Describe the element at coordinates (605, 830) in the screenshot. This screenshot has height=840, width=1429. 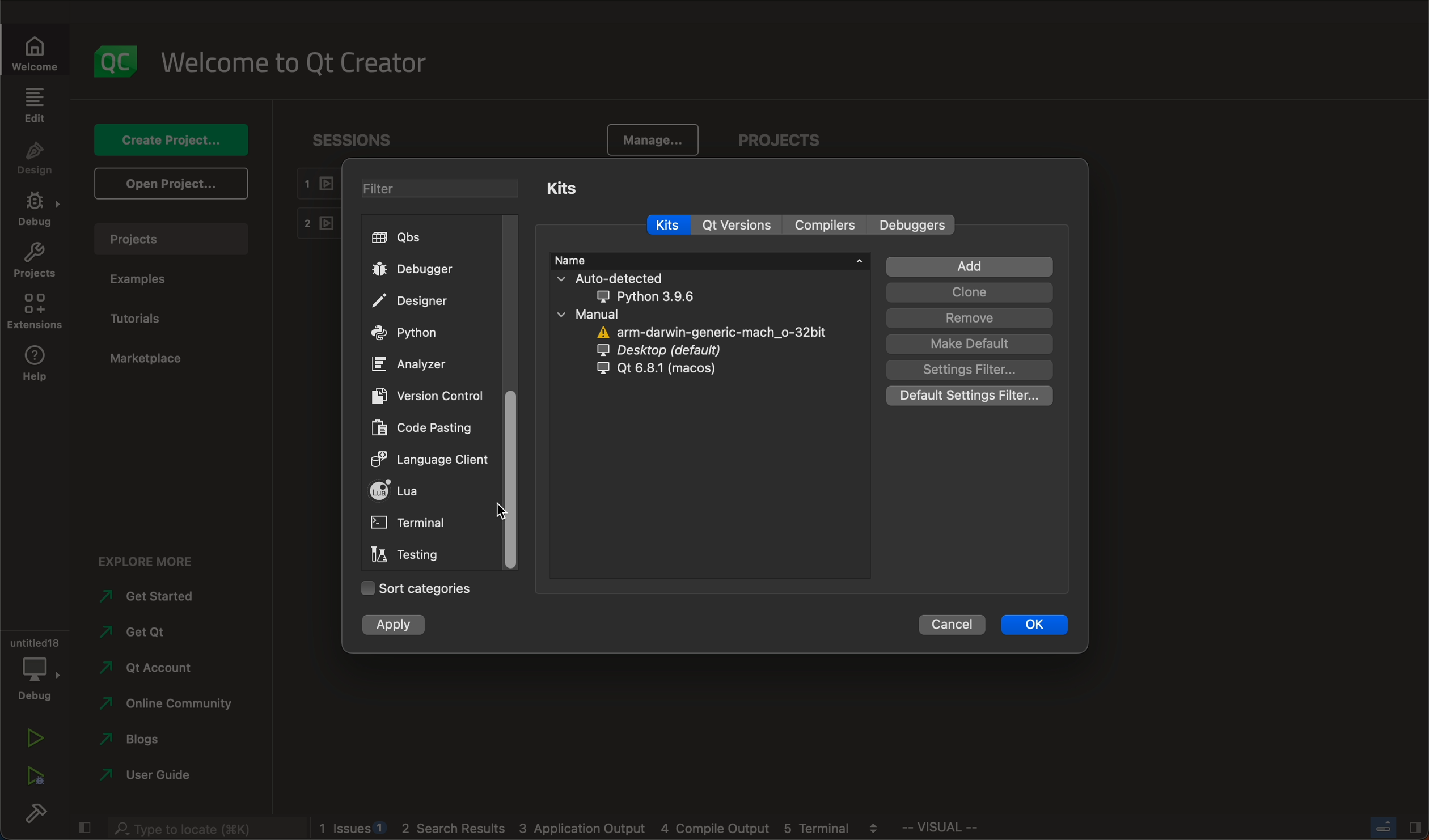
I see `logs` at that location.